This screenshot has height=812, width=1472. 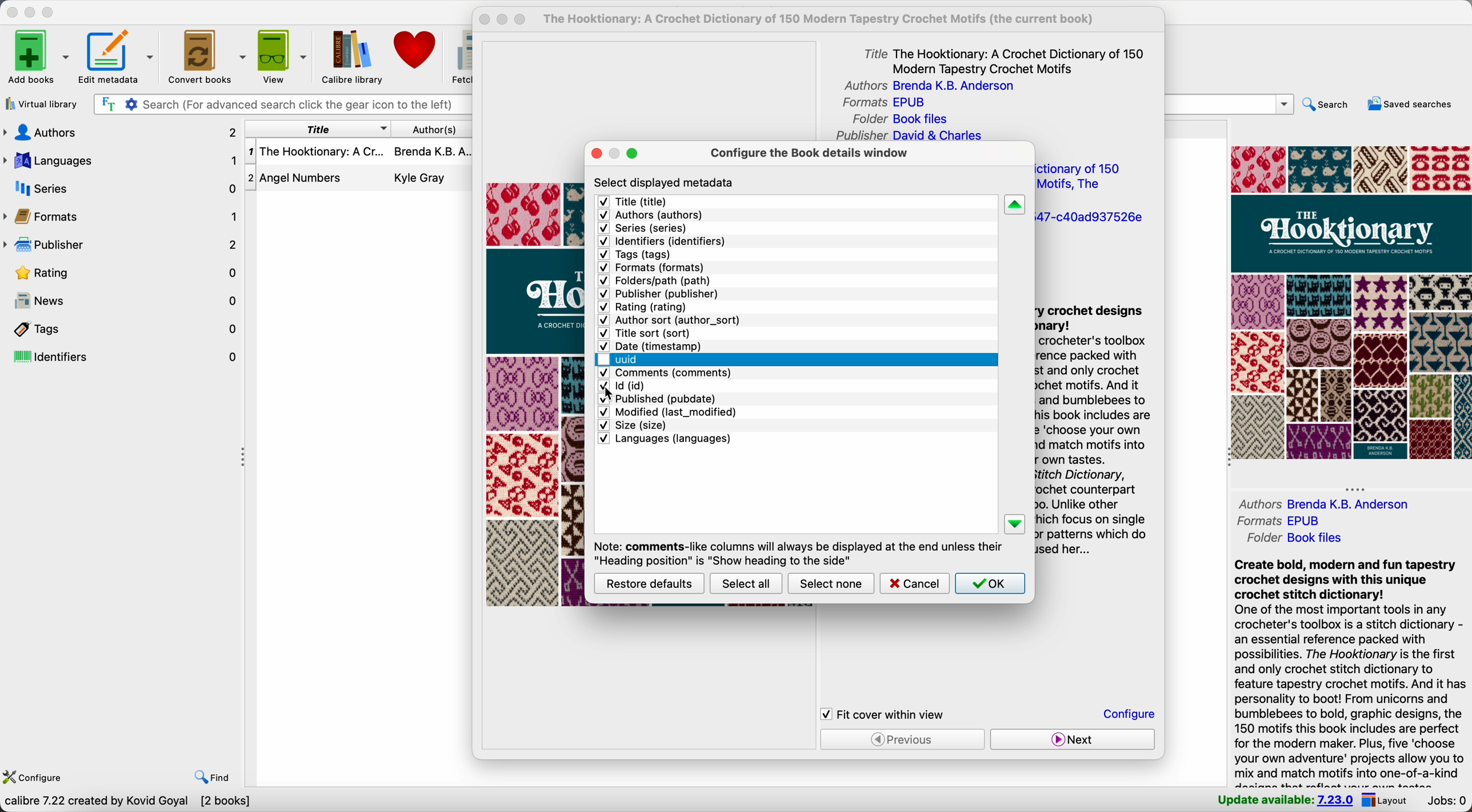 What do you see at coordinates (1277, 519) in the screenshot?
I see `formats` at bounding box center [1277, 519].